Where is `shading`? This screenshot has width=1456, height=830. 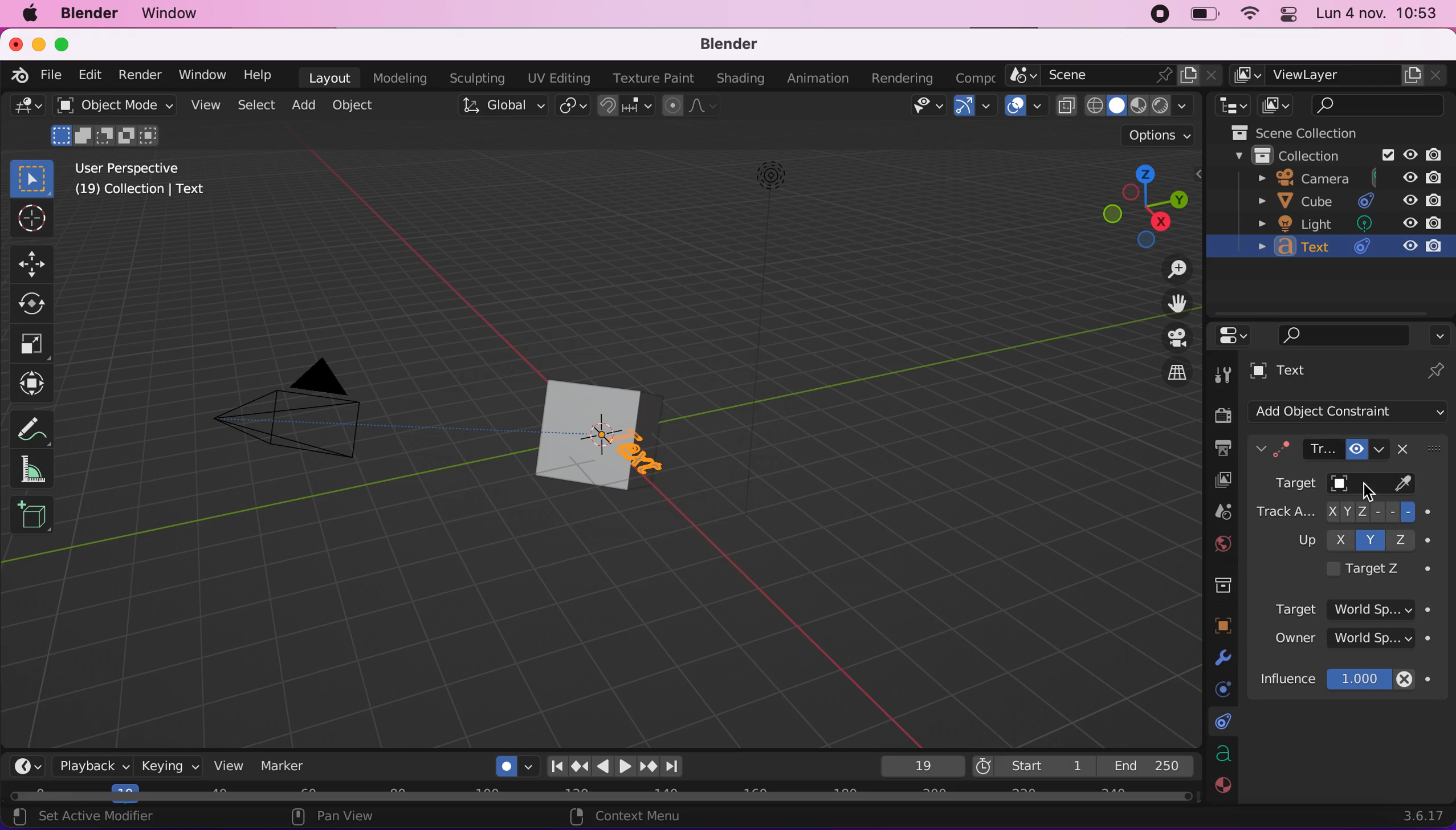
shading is located at coordinates (1136, 107).